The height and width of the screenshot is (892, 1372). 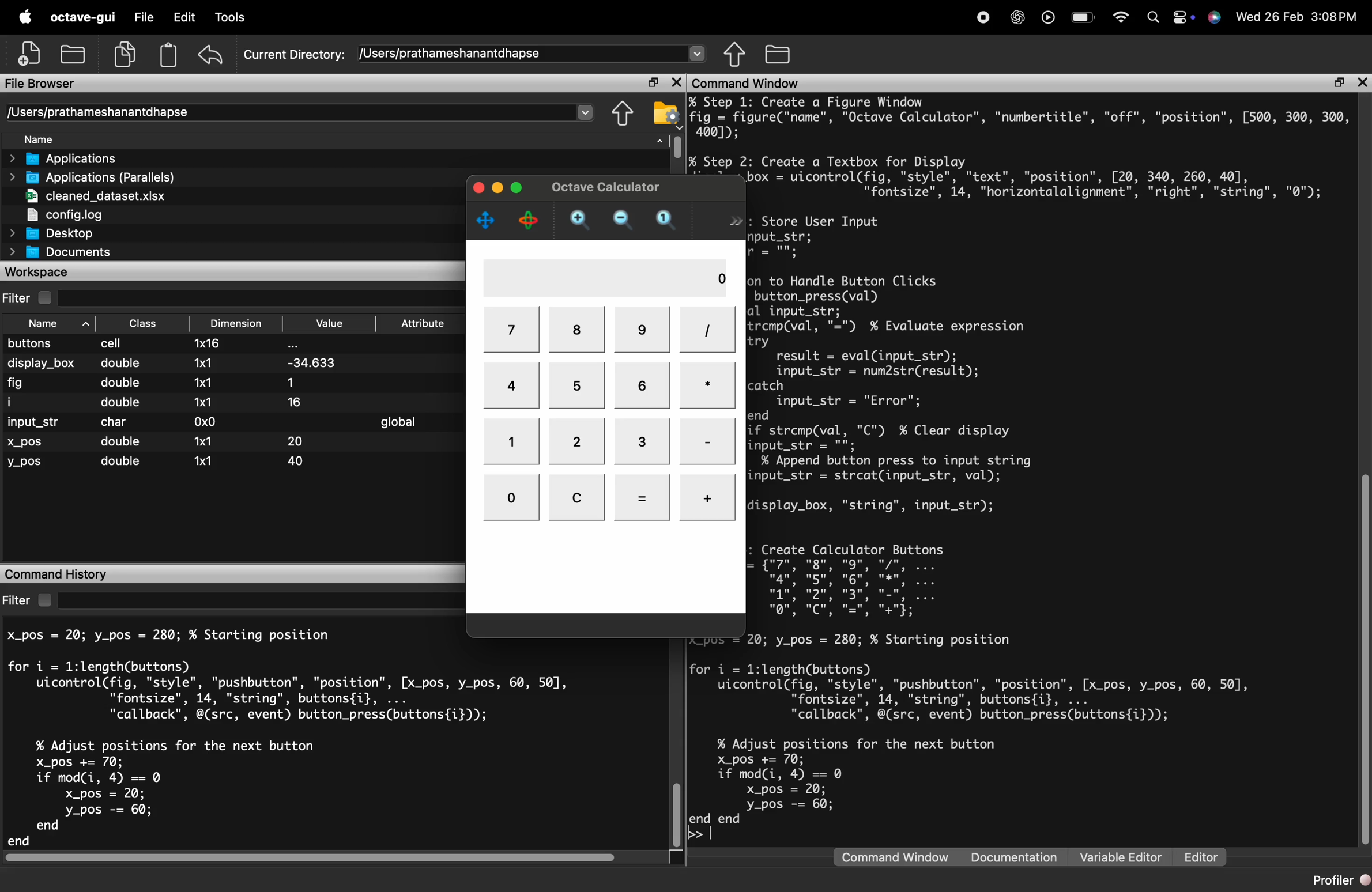 I want to click on 1x16, so click(x=207, y=342).